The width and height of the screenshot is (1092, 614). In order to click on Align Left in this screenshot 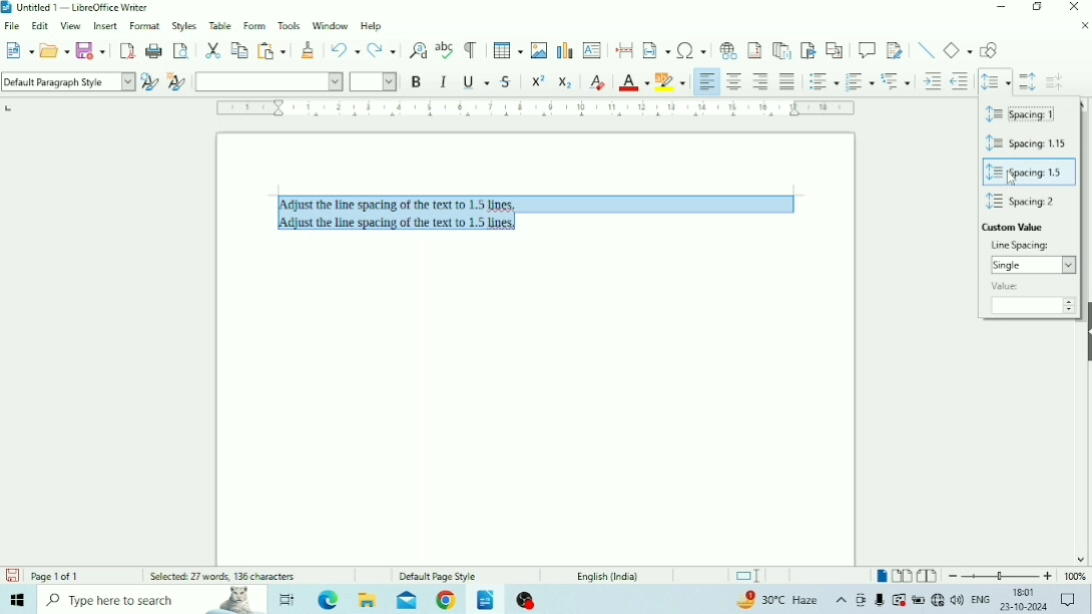, I will do `click(706, 81)`.